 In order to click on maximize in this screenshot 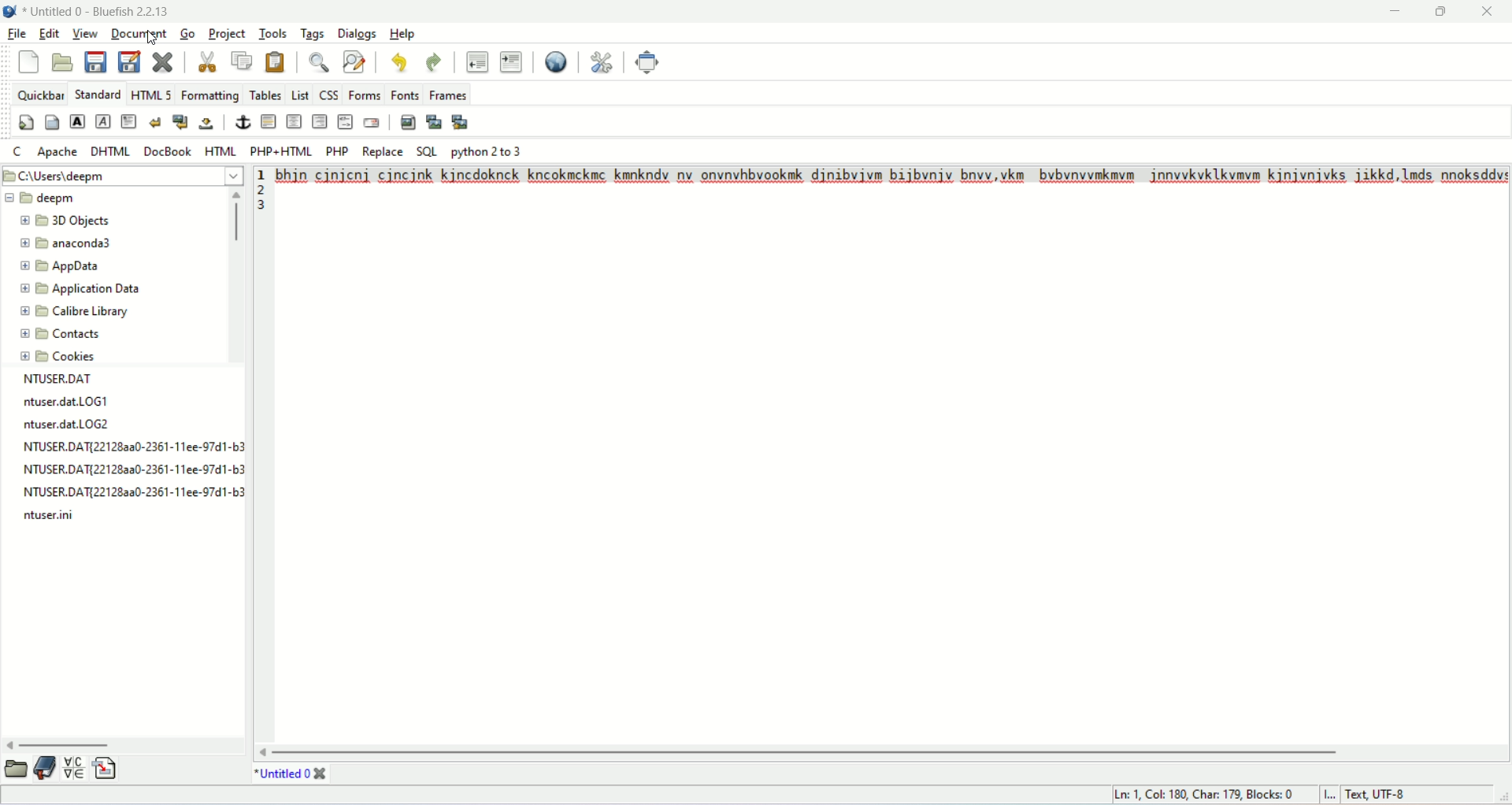, I will do `click(1437, 12)`.